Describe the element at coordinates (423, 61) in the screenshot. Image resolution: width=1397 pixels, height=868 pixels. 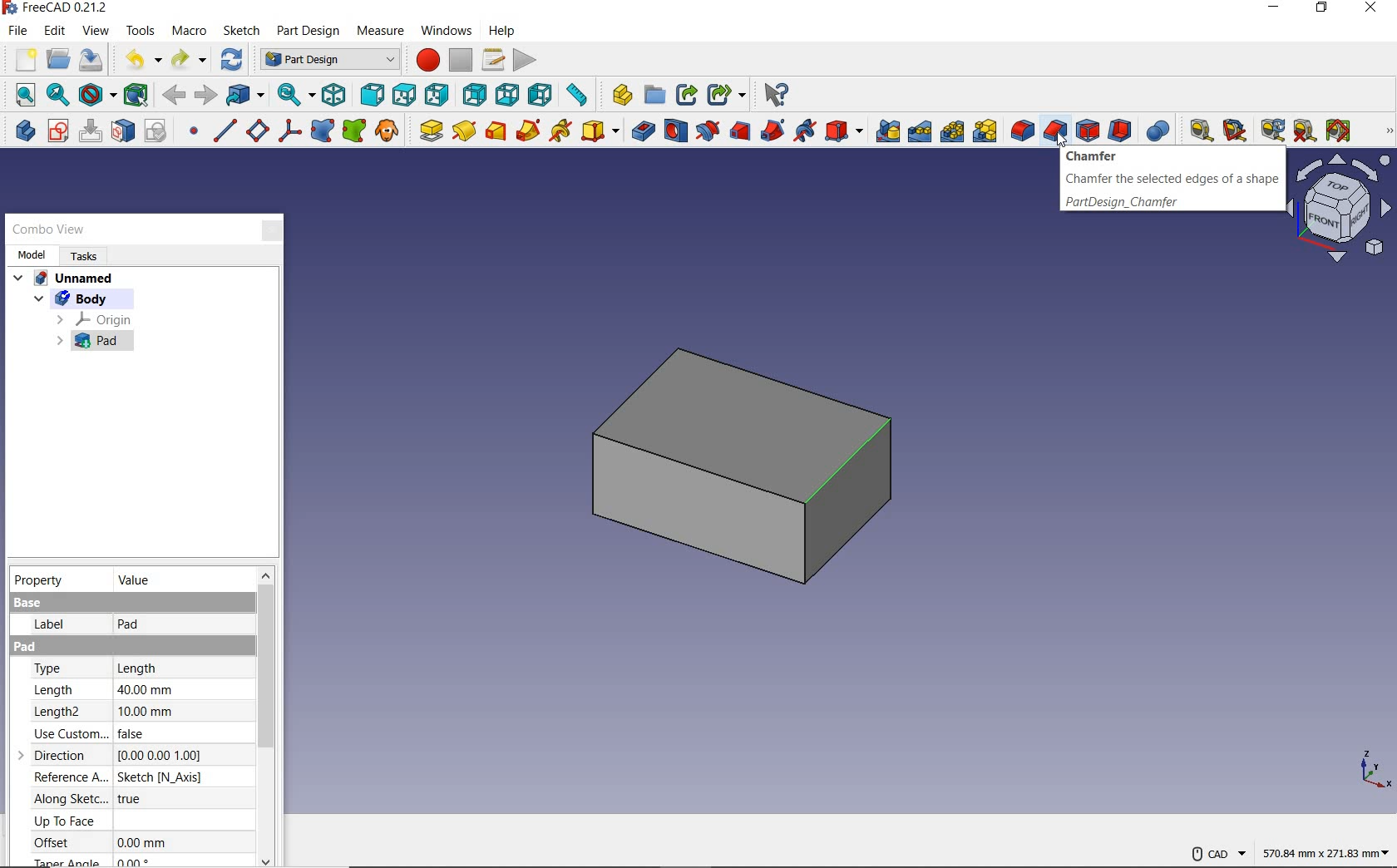
I see `macro recording` at that location.